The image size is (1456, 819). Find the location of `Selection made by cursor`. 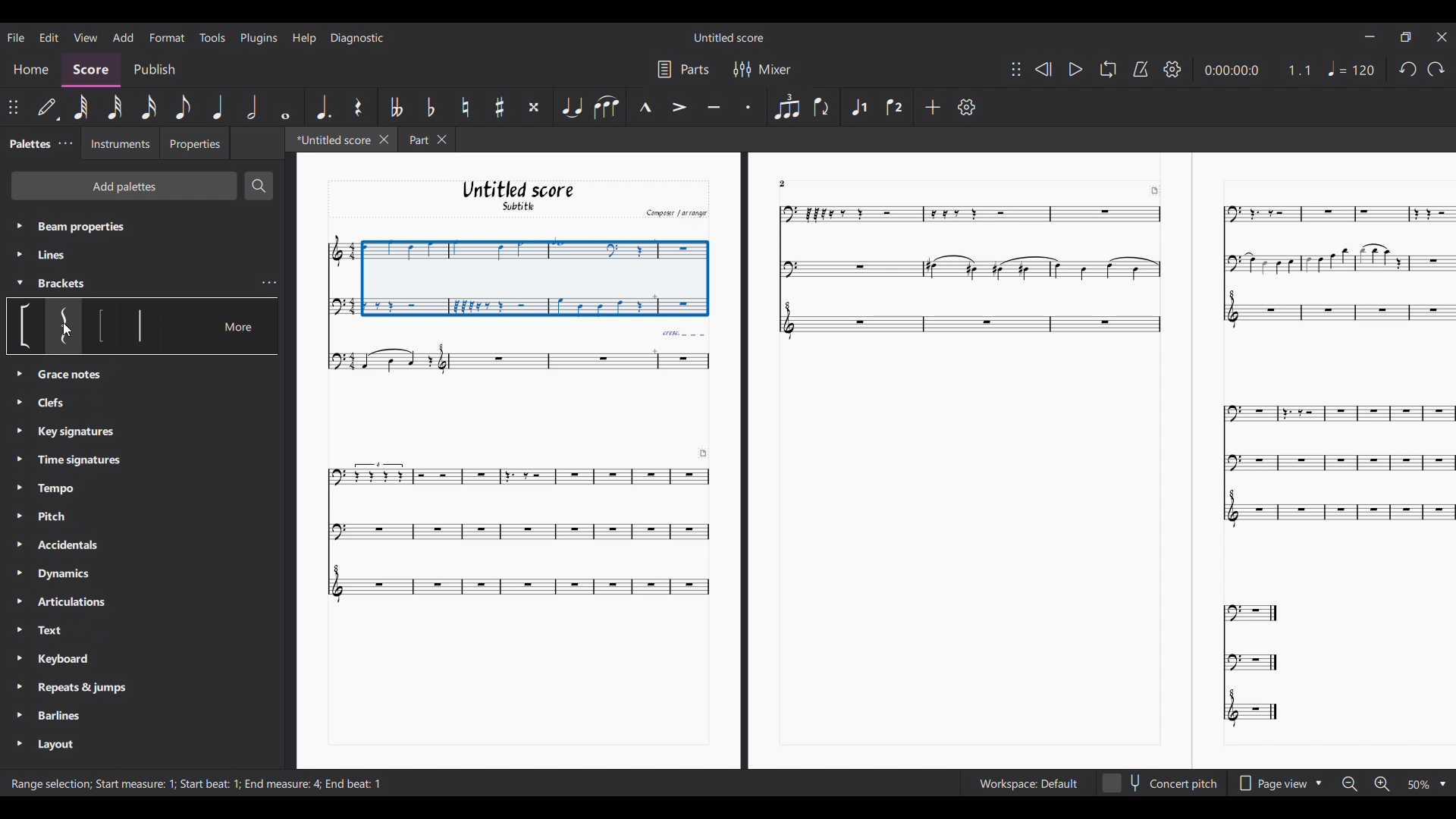

Selection made by cursor is located at coordinates (517, 272).